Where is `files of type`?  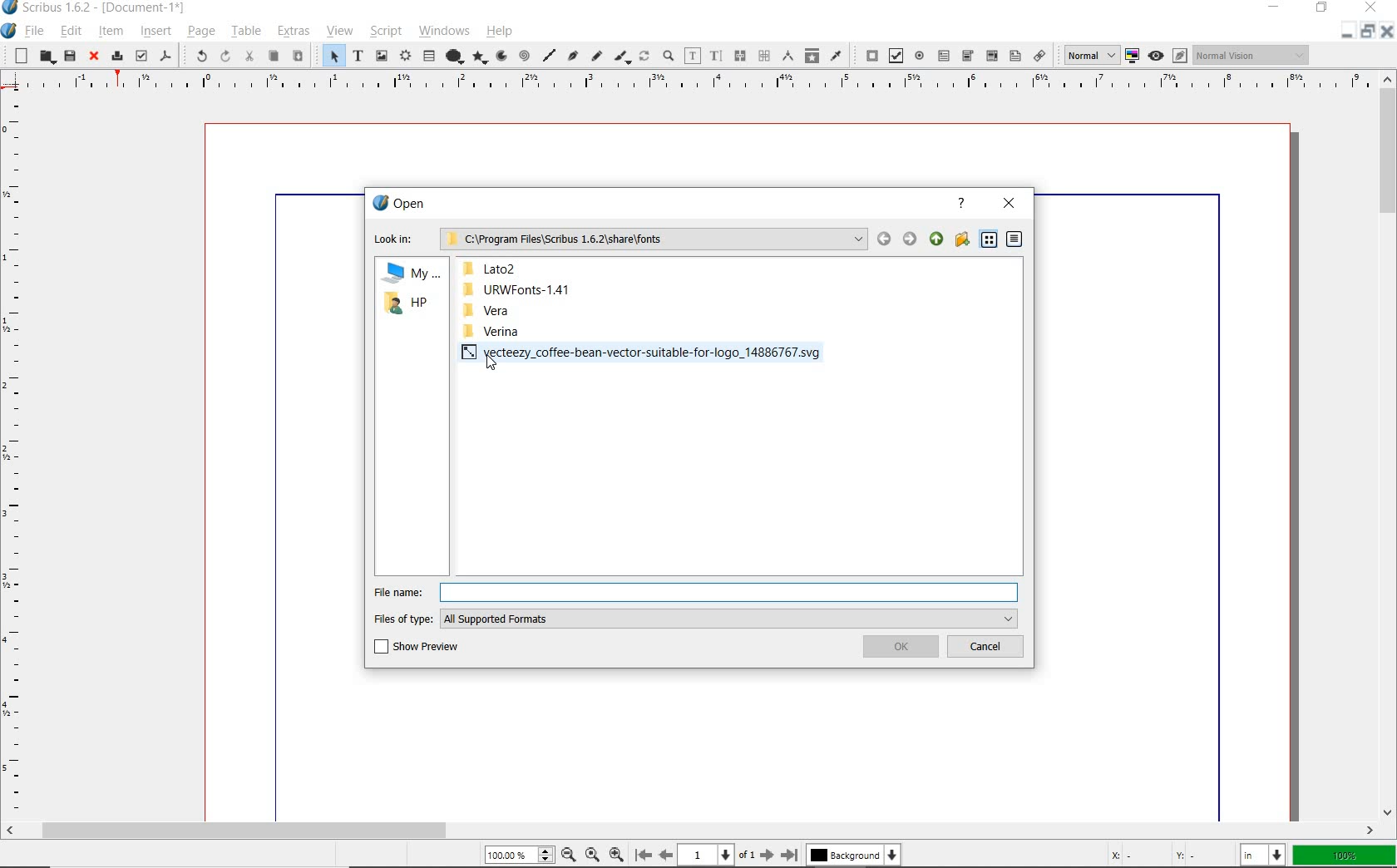 files of type is located at coordinates (694, 618).